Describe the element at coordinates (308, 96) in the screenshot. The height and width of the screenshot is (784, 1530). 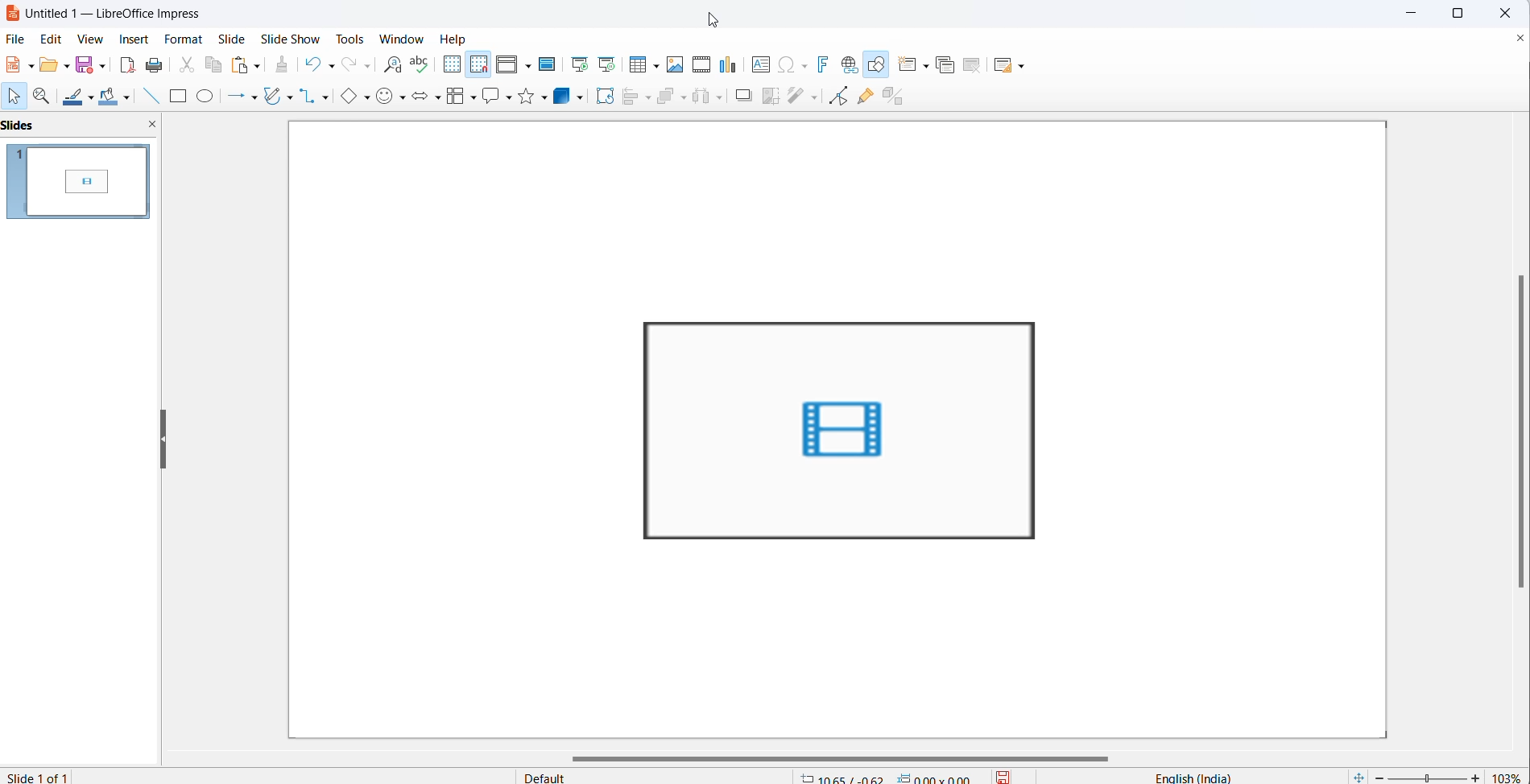
I see `connectors` at that location.